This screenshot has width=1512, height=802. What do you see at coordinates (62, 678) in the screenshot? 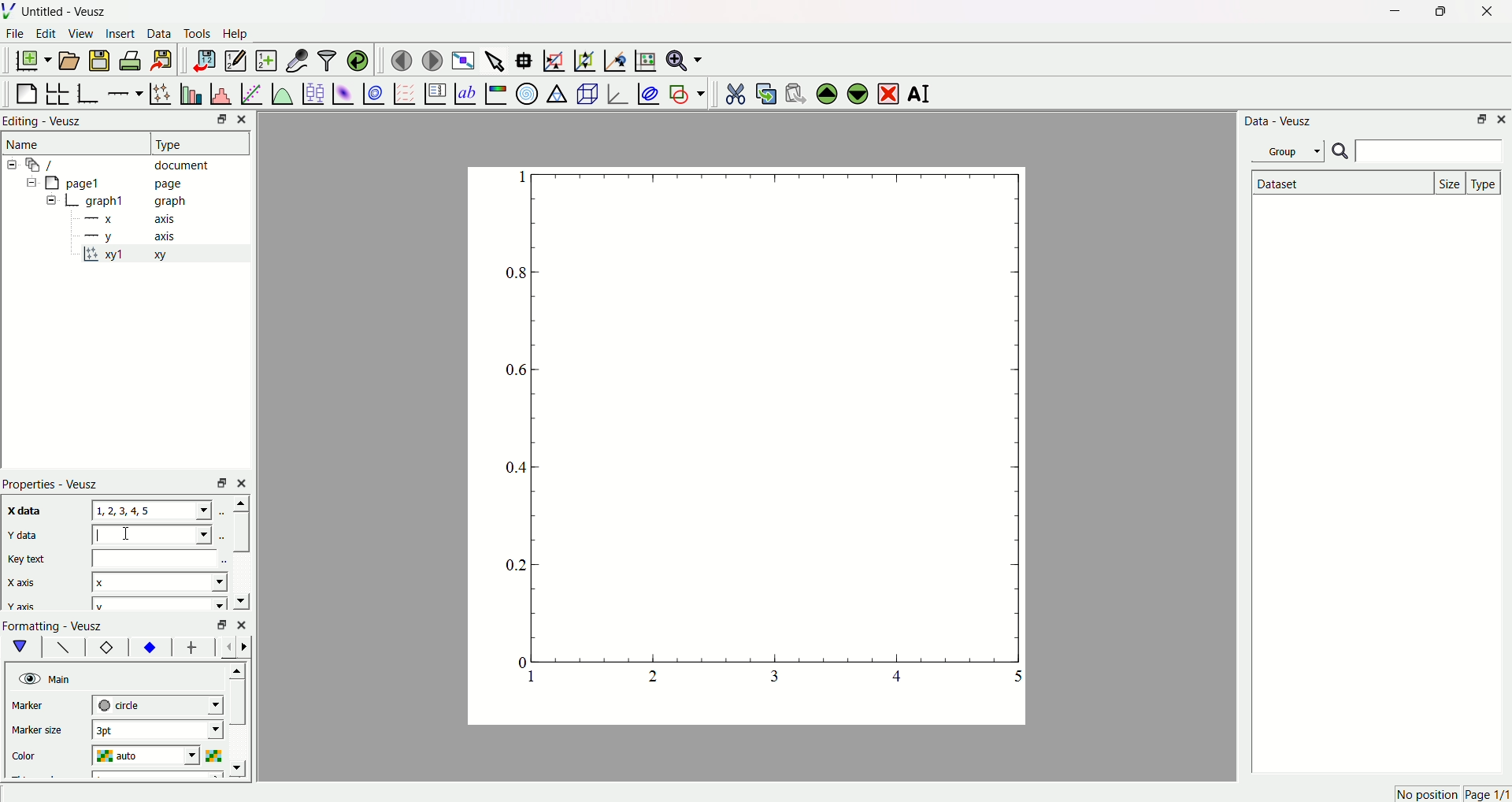
I see `Main` at bounding box center [62, 678].